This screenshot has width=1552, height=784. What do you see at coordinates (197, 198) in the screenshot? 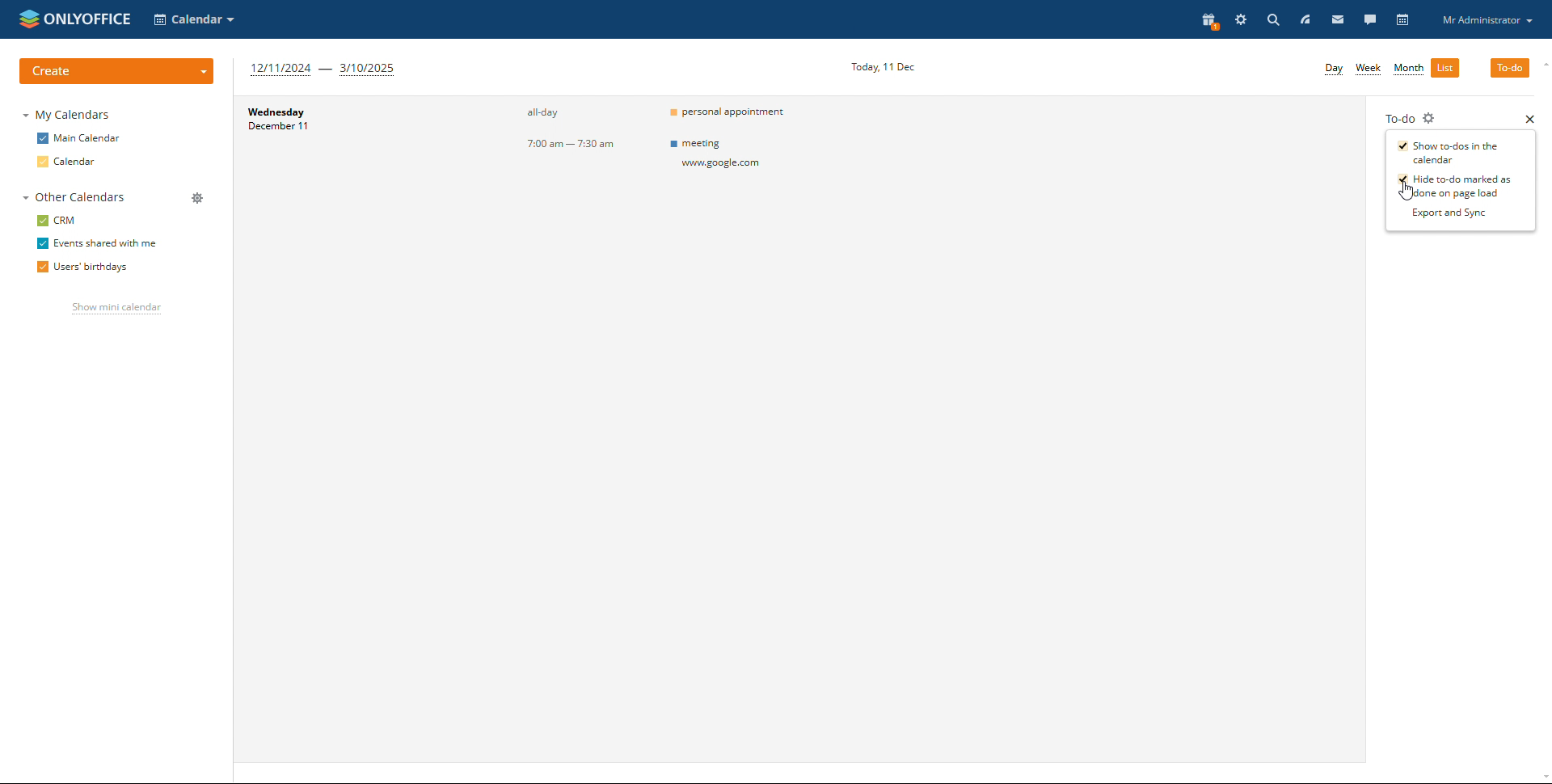
I see `manage` at bounding box center [197, 198].